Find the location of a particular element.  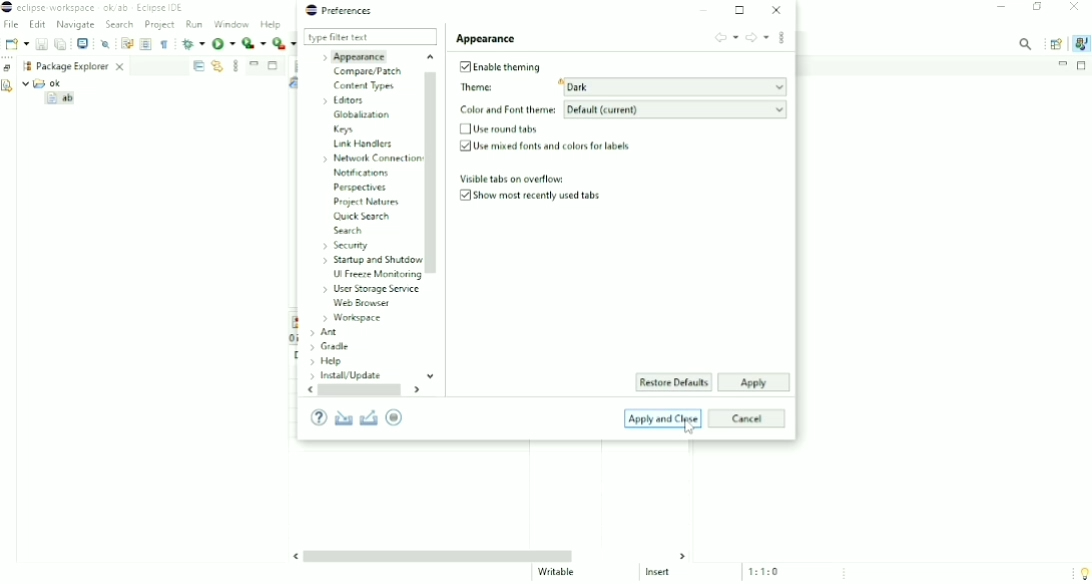

Install/Update is located at coordinates (344, 376).